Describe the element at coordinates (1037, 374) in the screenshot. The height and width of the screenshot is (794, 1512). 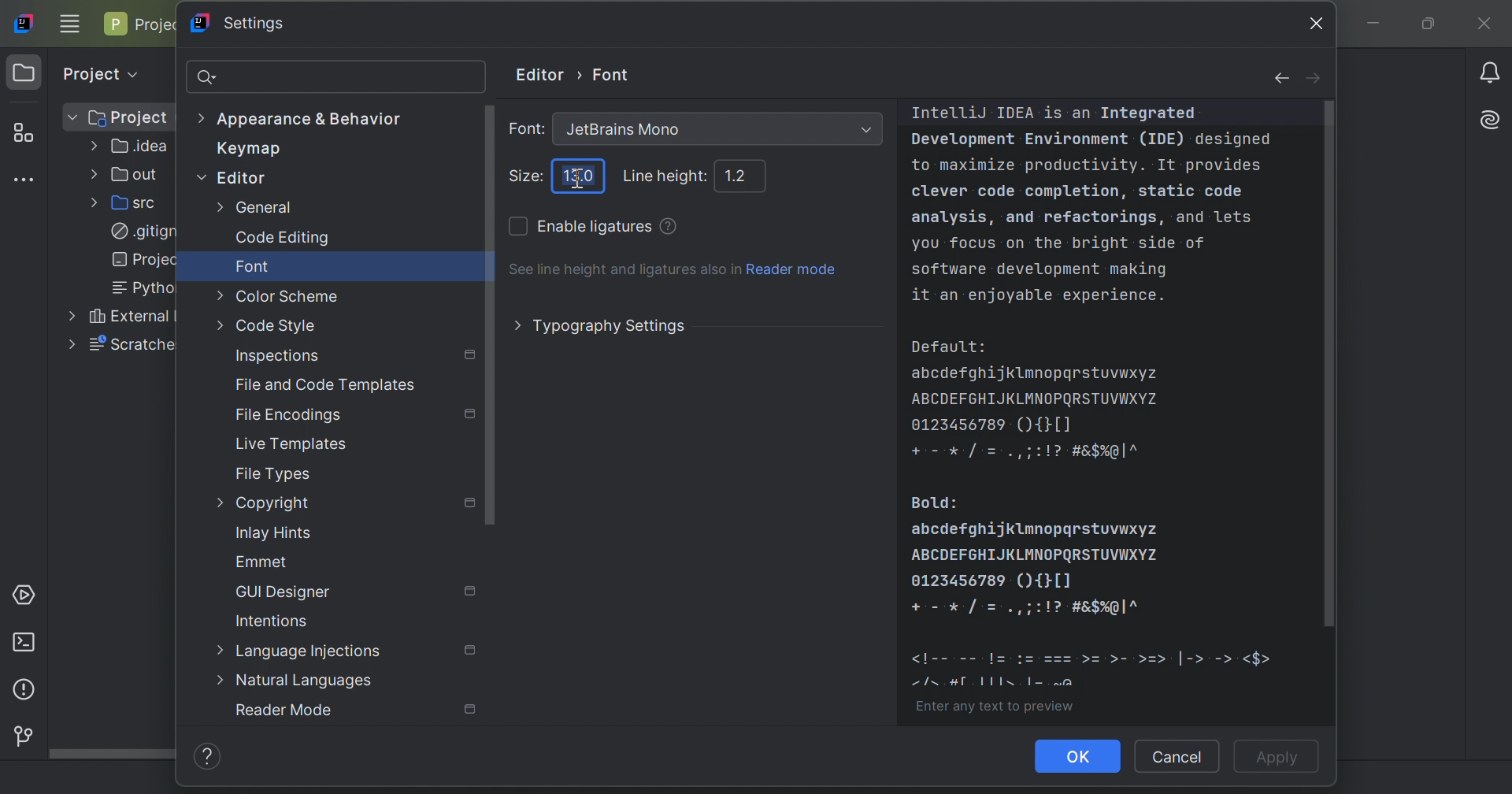
I see `abcdefghijklmnopqrstuvwxyz` at that location.